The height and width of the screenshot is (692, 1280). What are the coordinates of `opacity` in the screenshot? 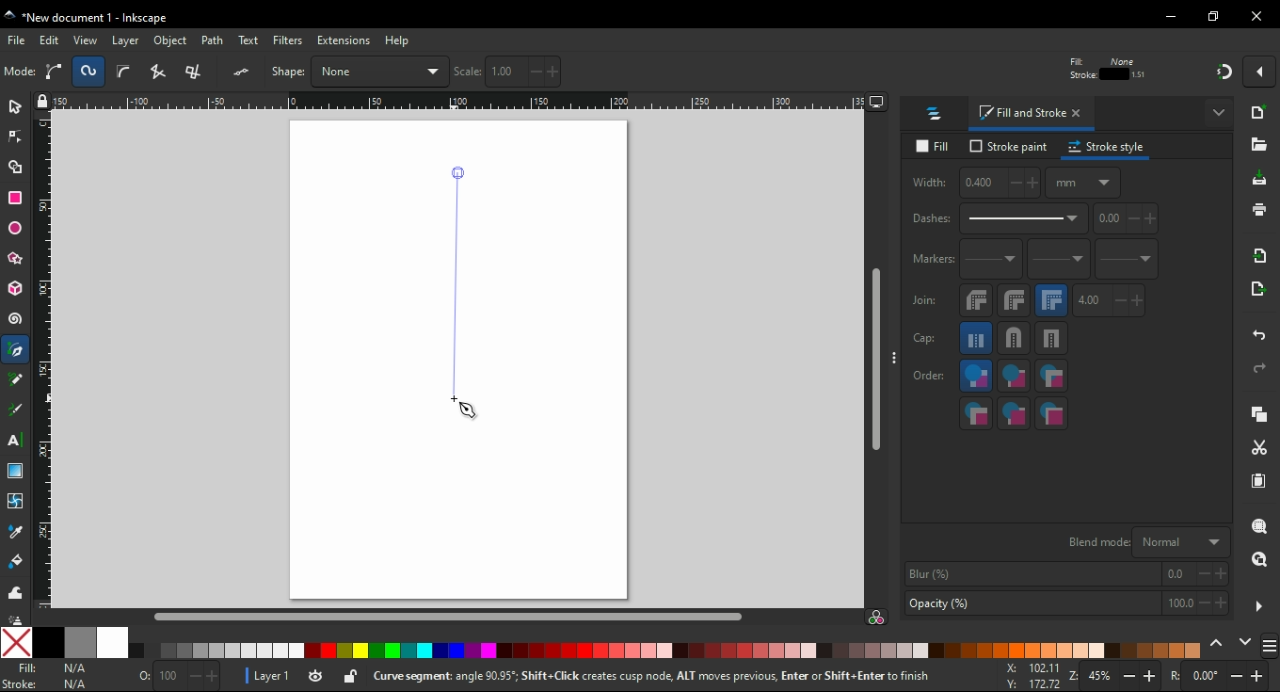 It's located at (1065, 605).